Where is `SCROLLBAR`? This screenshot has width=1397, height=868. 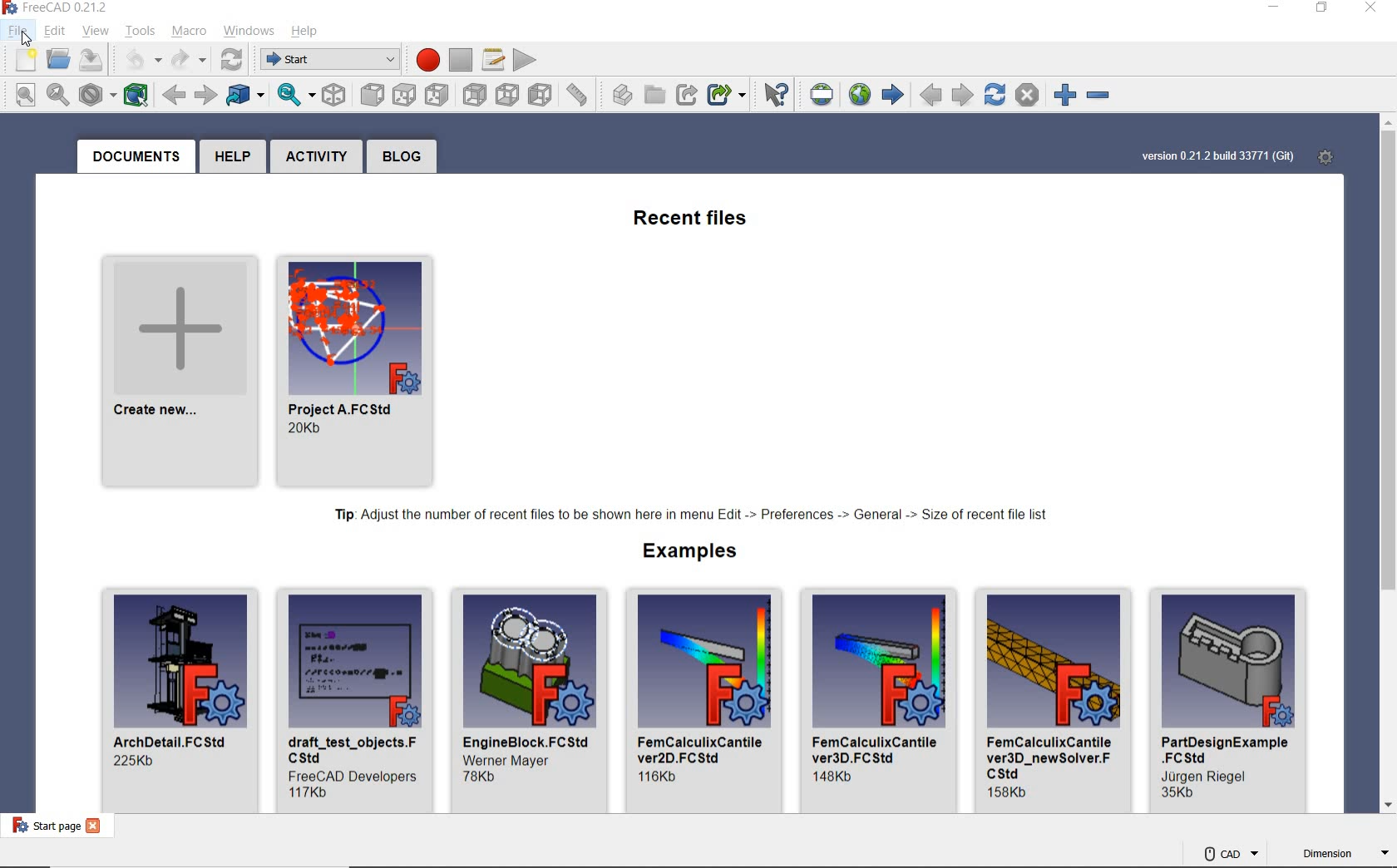
SCROLLBAR is located at coordinates (1389, 466).